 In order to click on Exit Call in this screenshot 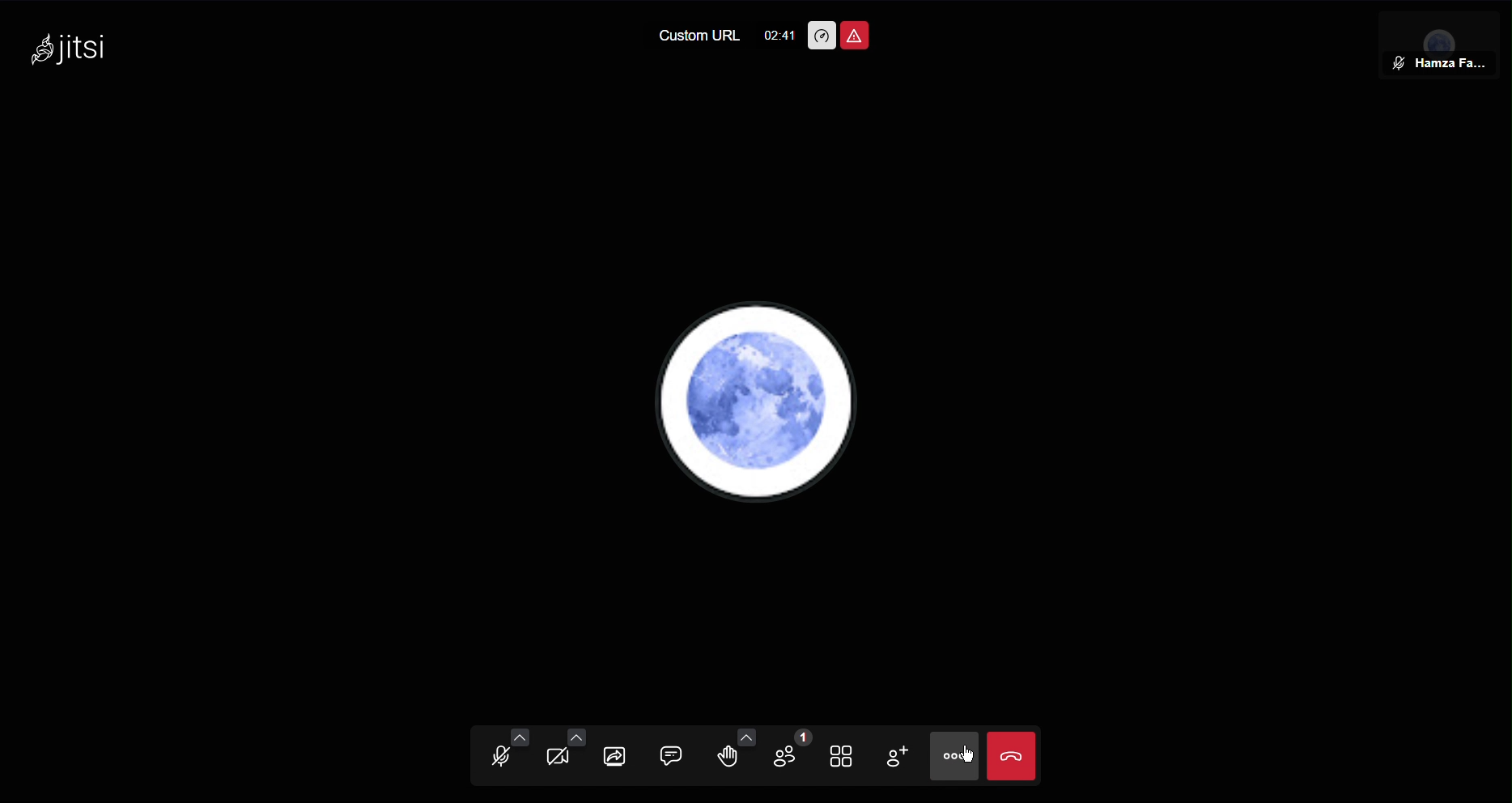, I will do `click(1015, 754)`.